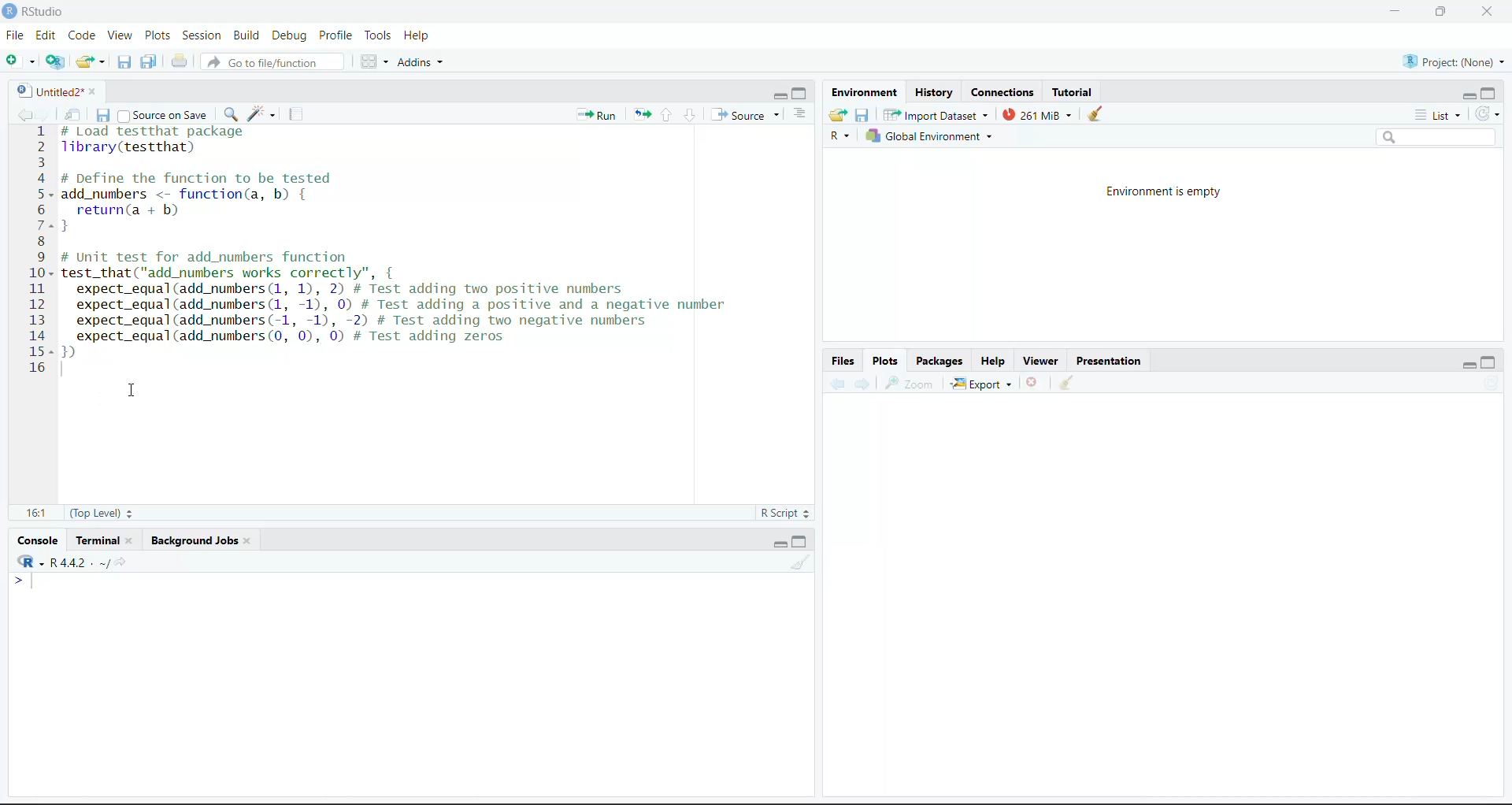 This screenshot has height=805, width=1512. Describe the element at coordinates (376, 35) in the screenshot. I see `Tools` at that location.